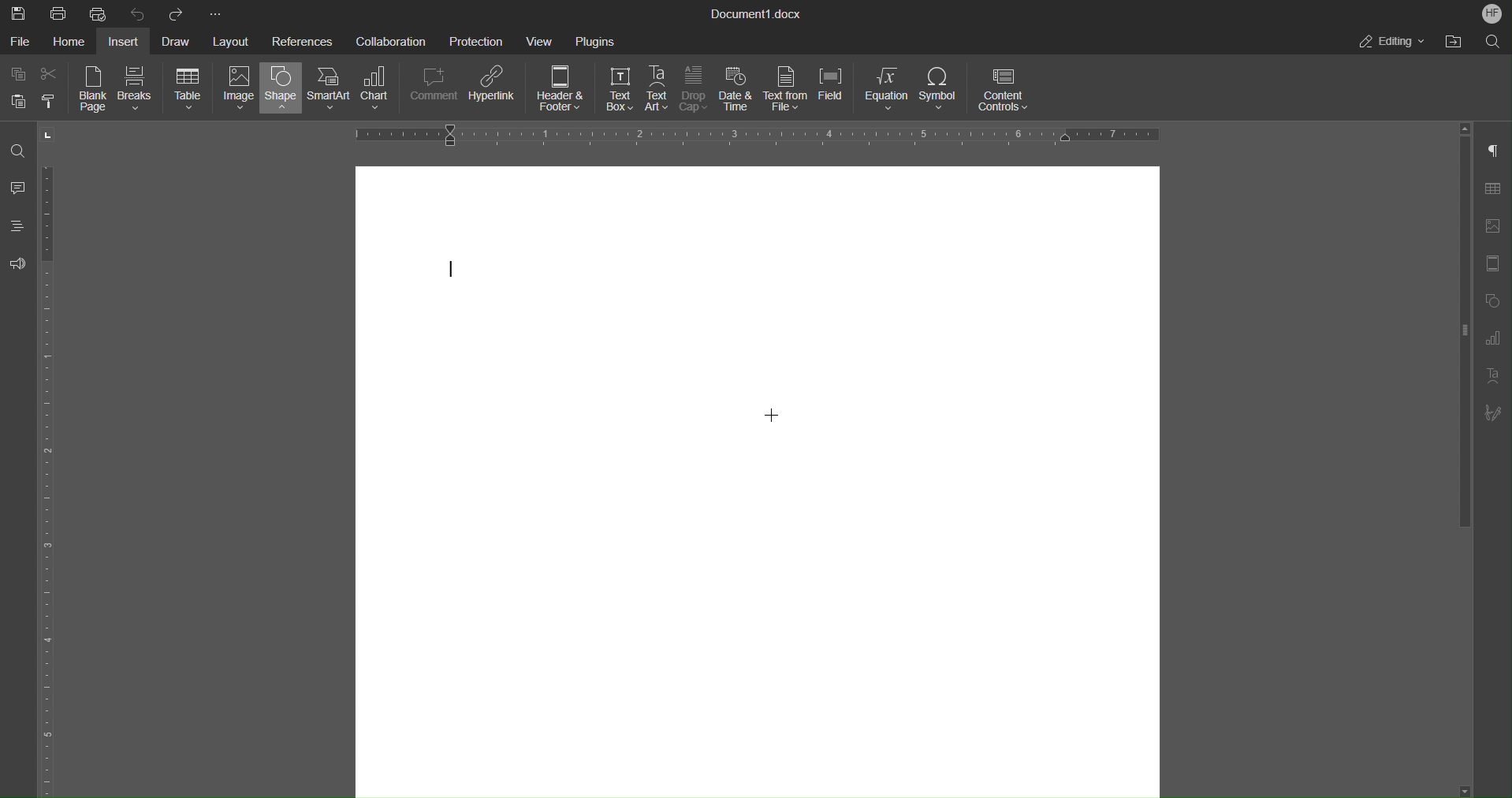 Image resolution: width=1512 pixels, height=798 pixels. What do you see at coordinates (49, 135) in the screenshot?
I see `Tab stop` at bounding box center [49, 135].